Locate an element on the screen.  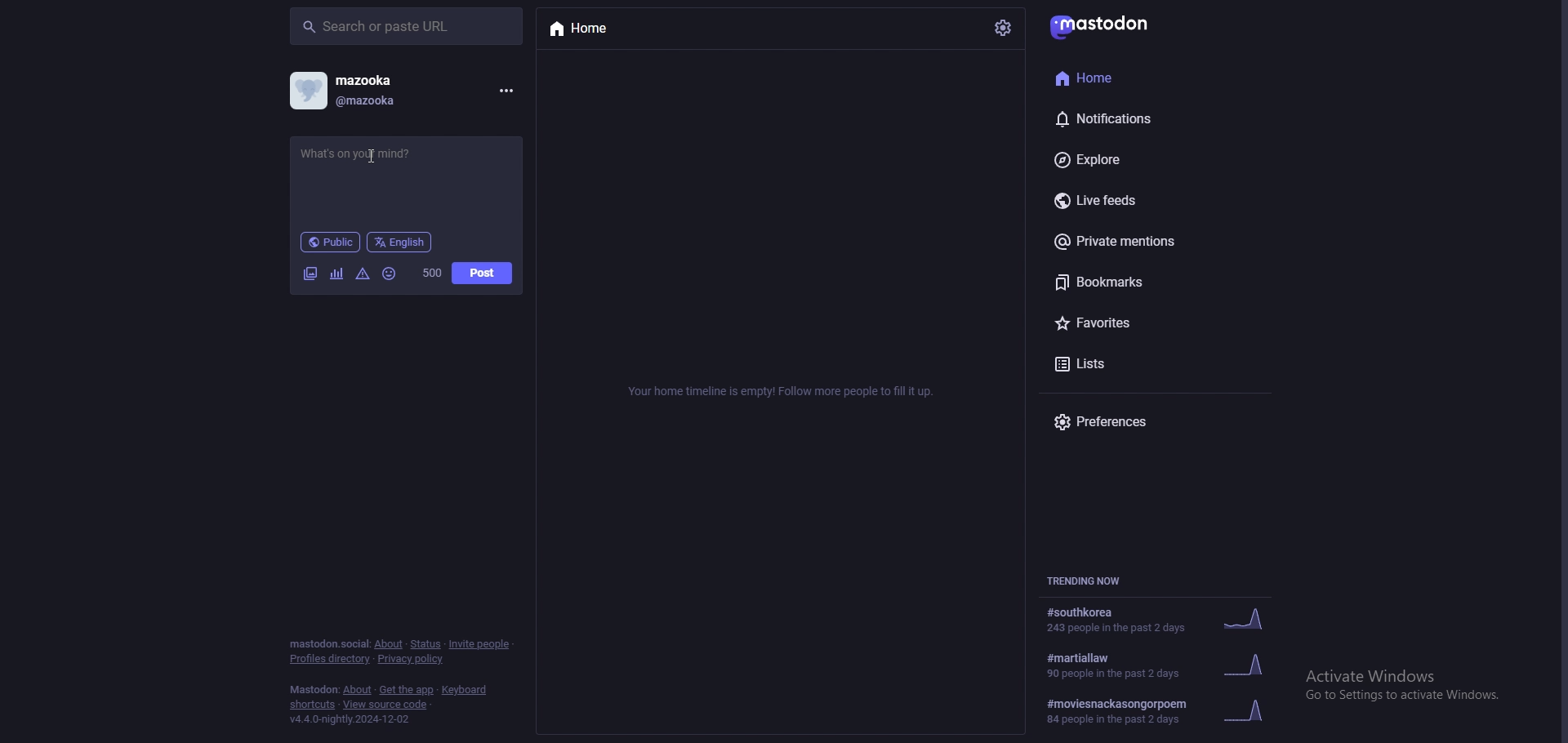
search bar is located at coordinates (406, 26).